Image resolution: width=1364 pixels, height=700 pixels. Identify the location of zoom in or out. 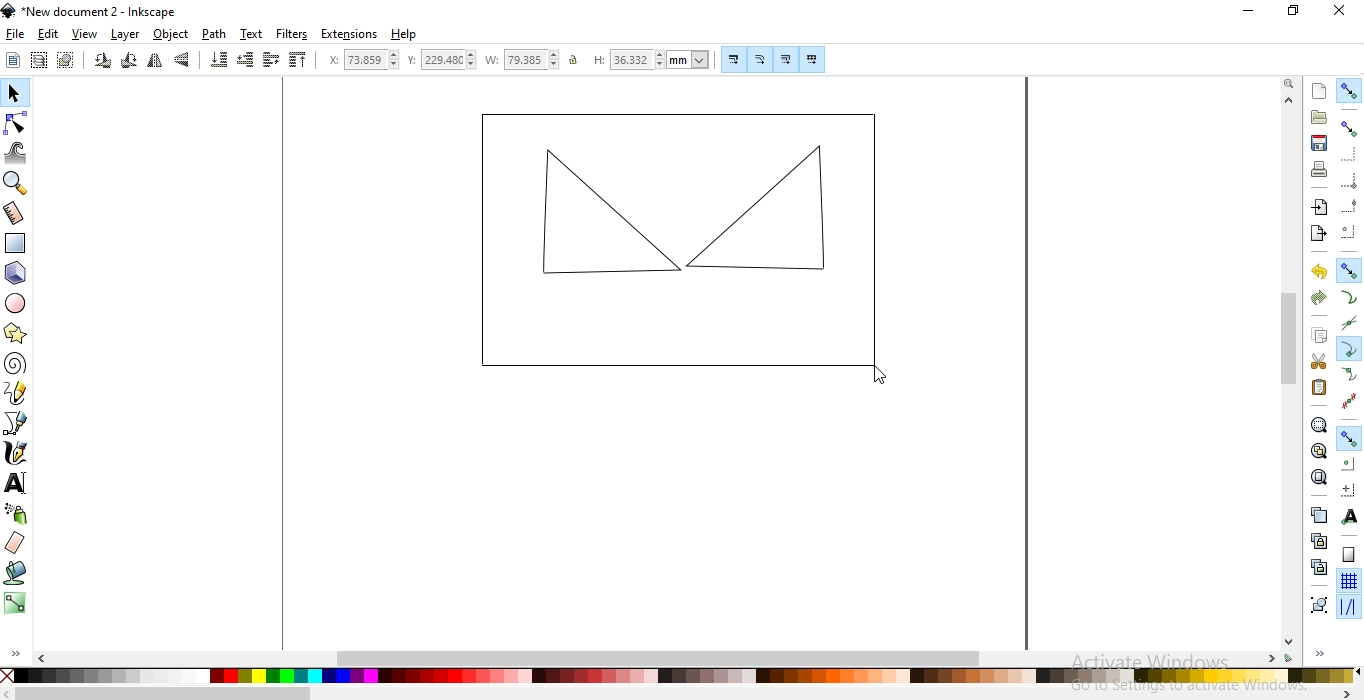
(16, 183).